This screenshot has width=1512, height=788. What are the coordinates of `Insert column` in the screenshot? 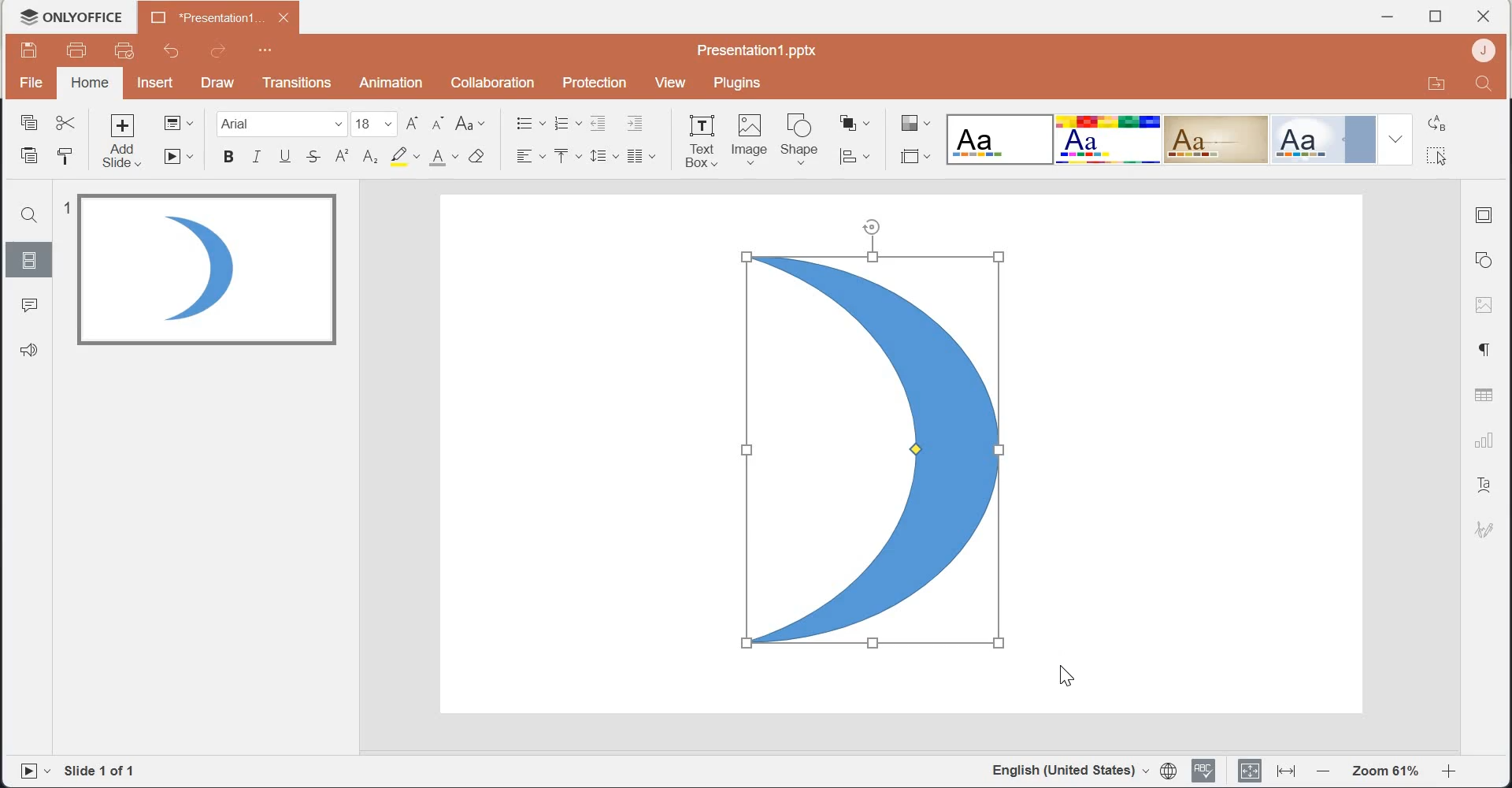 It's located at (643, 157).